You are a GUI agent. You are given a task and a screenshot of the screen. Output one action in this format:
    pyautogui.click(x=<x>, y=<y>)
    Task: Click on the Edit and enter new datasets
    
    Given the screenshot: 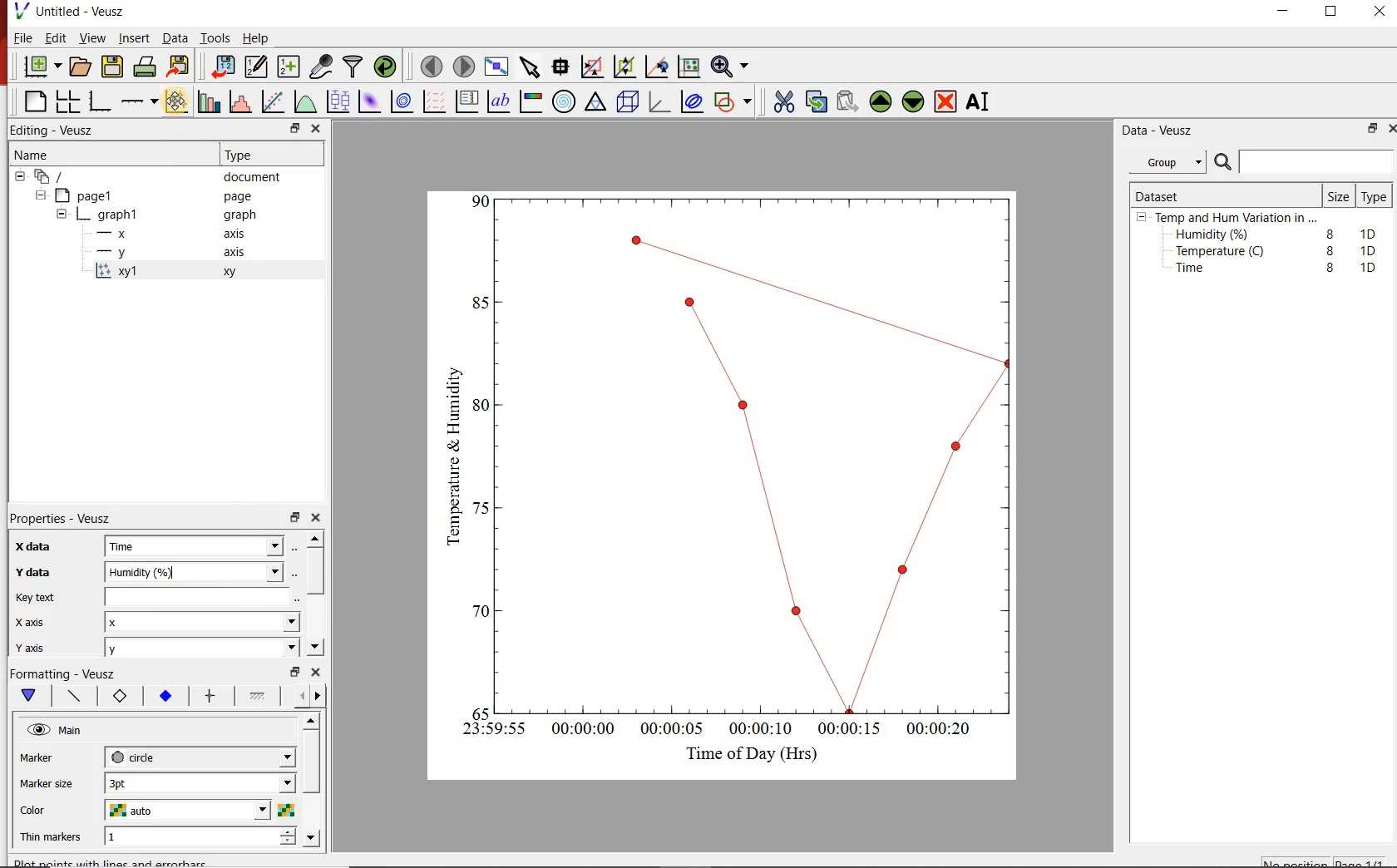 What is the action you would take?
    pyautogui.click(x=257, y=67)
    